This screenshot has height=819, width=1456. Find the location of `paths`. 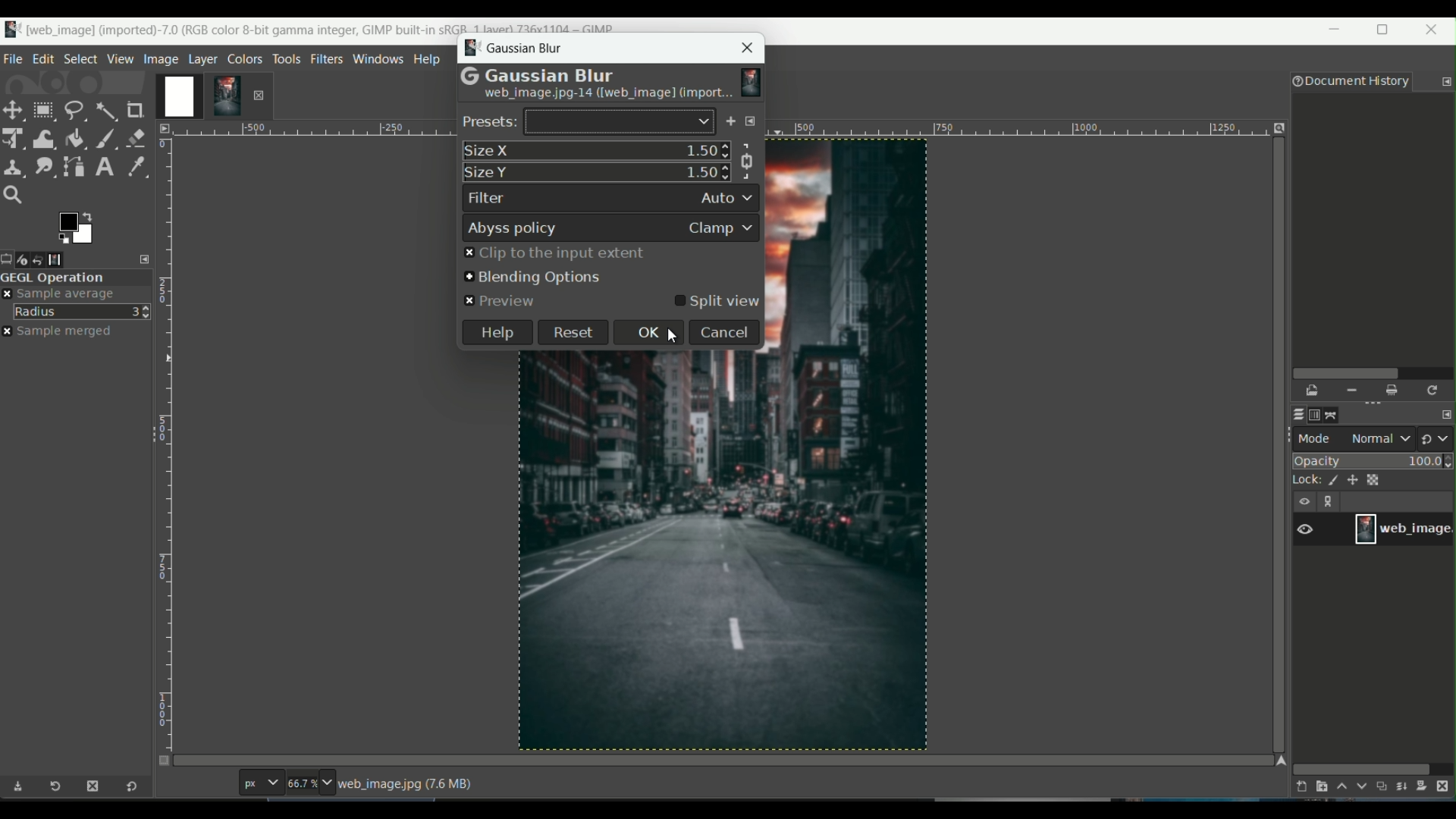

paths is located at coordinates (1336, 413).